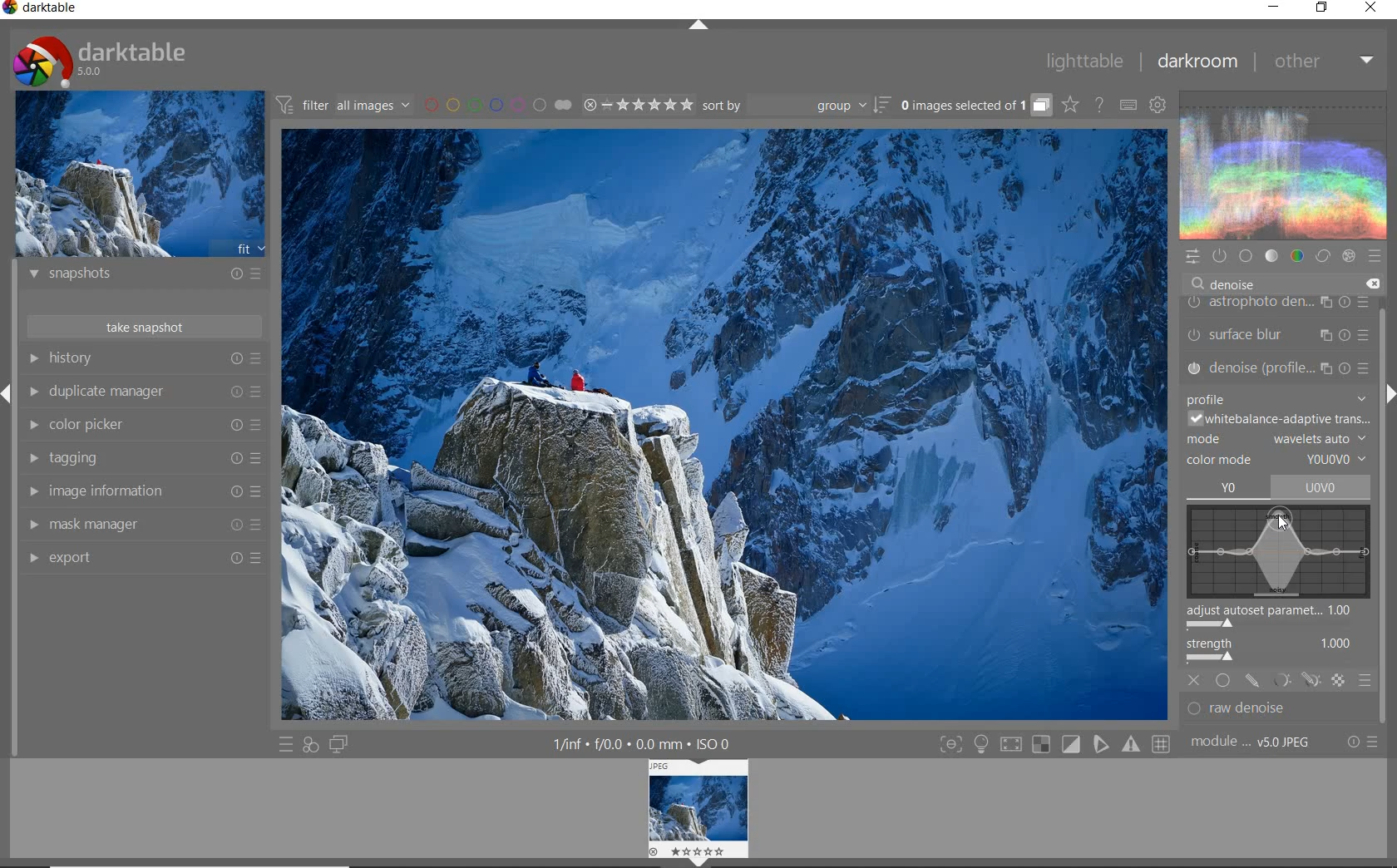 Image resolution: width=1397 pixels, height=868 pixels. I want to click on MASK OPTIONS, so click(1294, 682).